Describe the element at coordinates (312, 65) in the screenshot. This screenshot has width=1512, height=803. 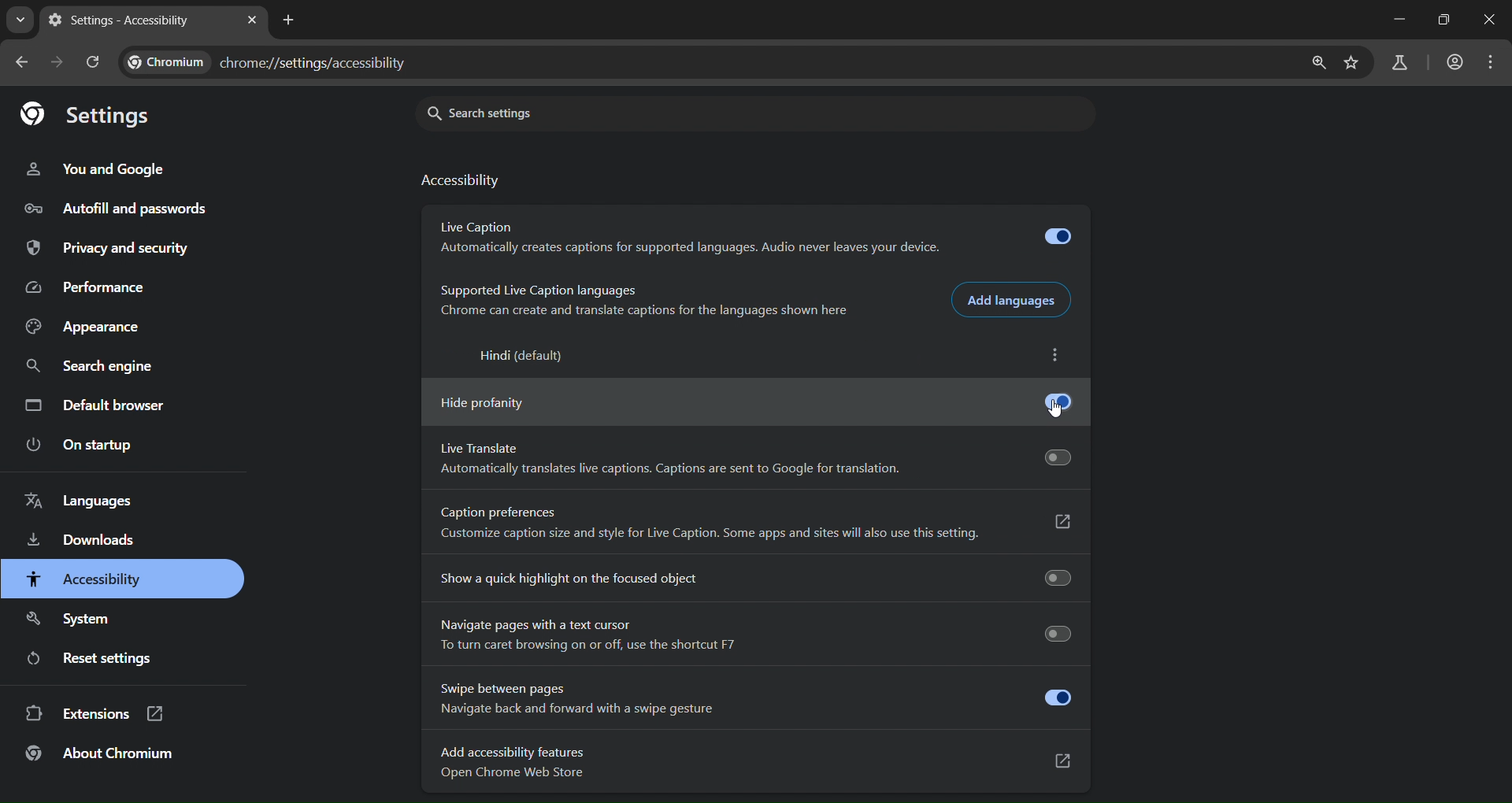
I see `chrome://settings/accessibility` at that location.